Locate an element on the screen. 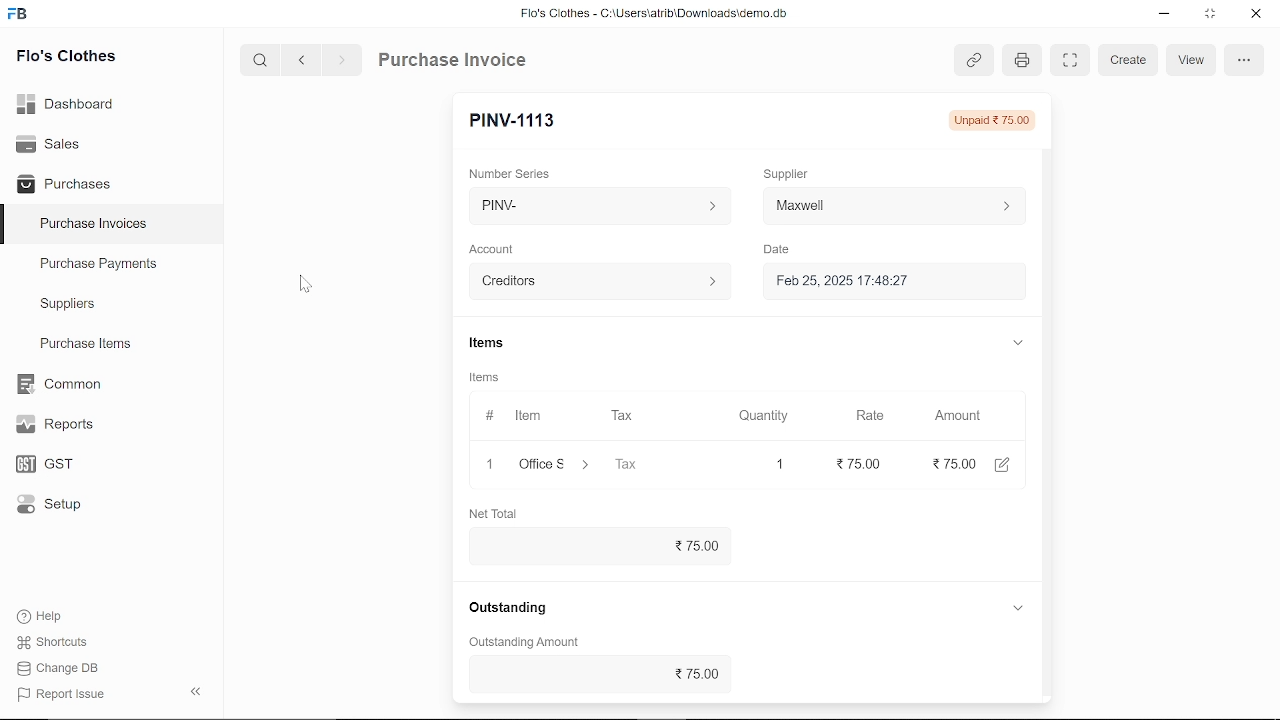  Purchases is located at coordinates (64, 182).